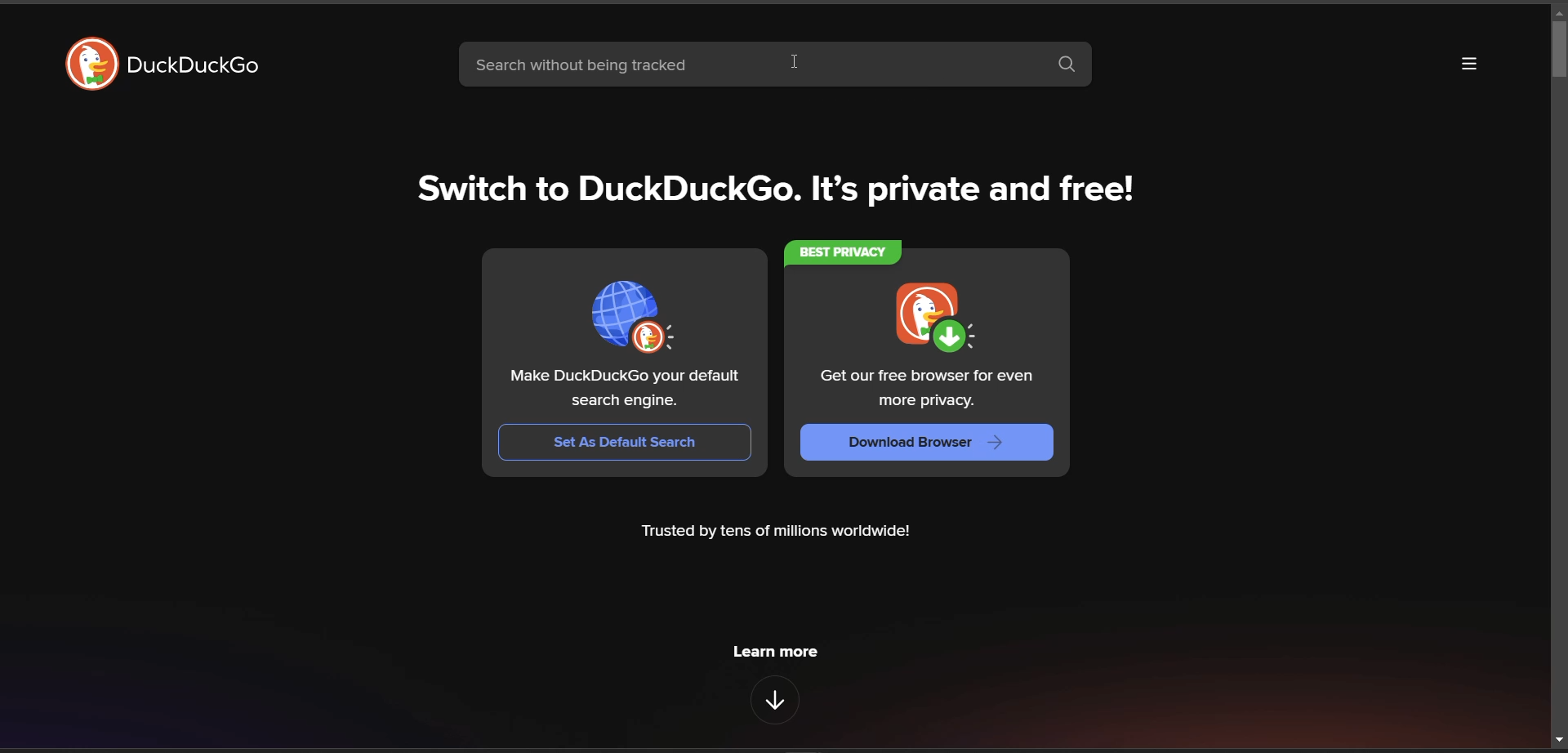 Image resolution: width=1568 pixels, height=753 pixels. Describe the element at coordinates (780, 194) in the screenshot. I see `tag line` at that location.